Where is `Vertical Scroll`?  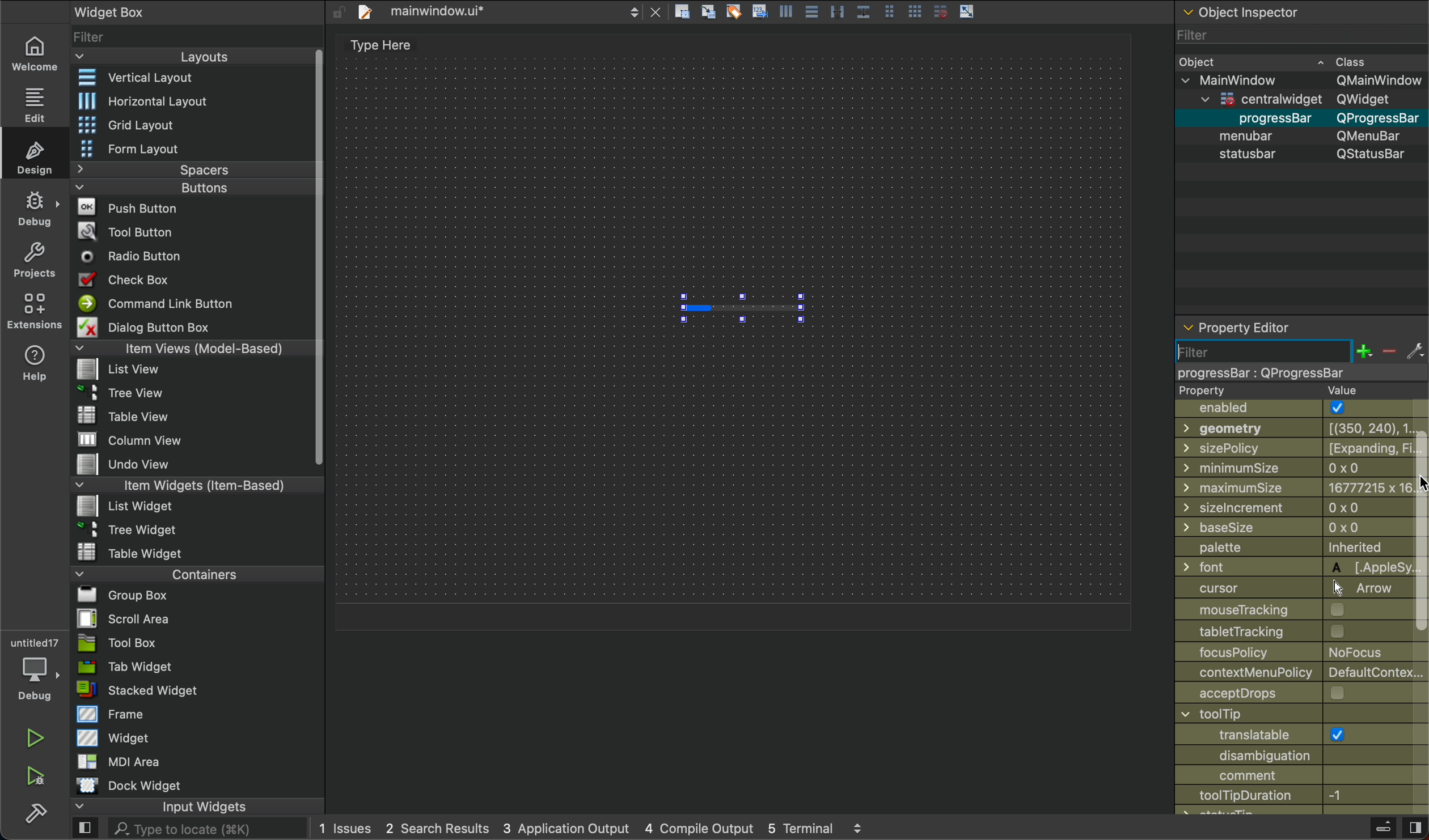 Vertical Scroll is located at coordinates (316, 258).